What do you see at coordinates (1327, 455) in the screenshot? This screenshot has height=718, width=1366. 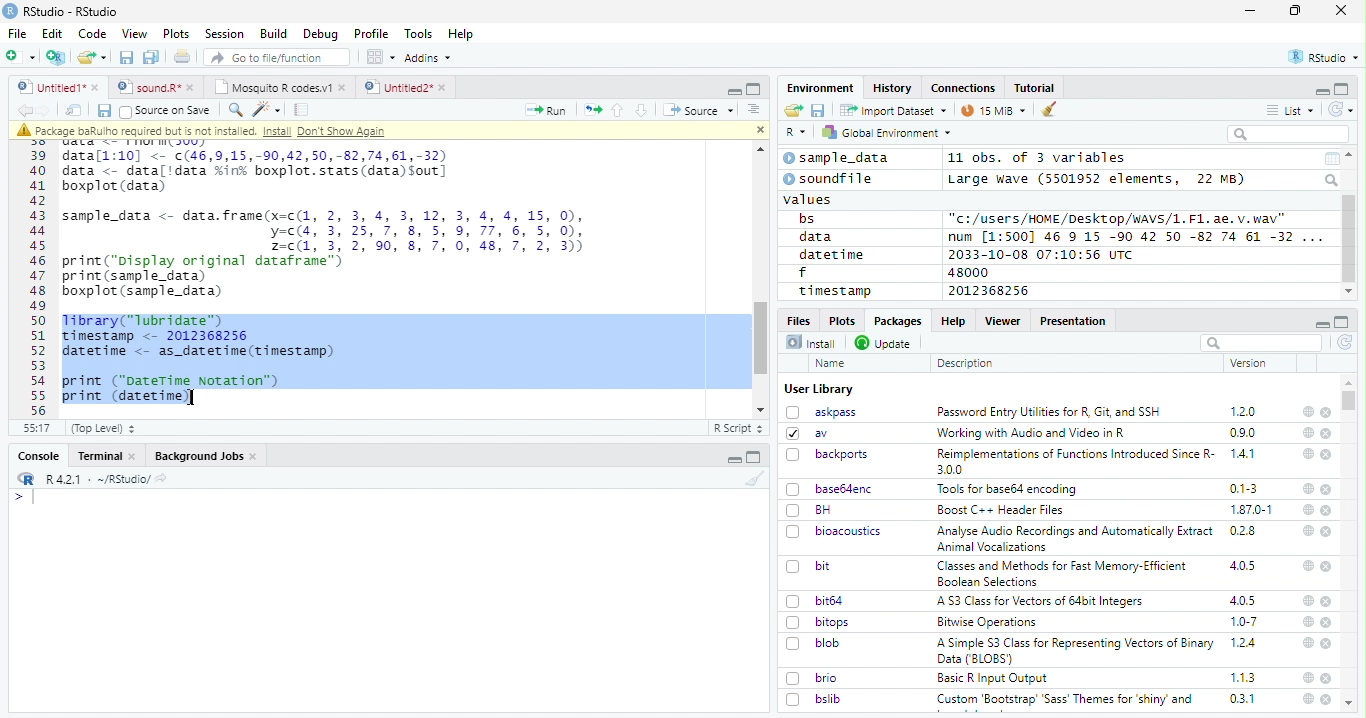 I see `close` at bounding box center [1327, 455].